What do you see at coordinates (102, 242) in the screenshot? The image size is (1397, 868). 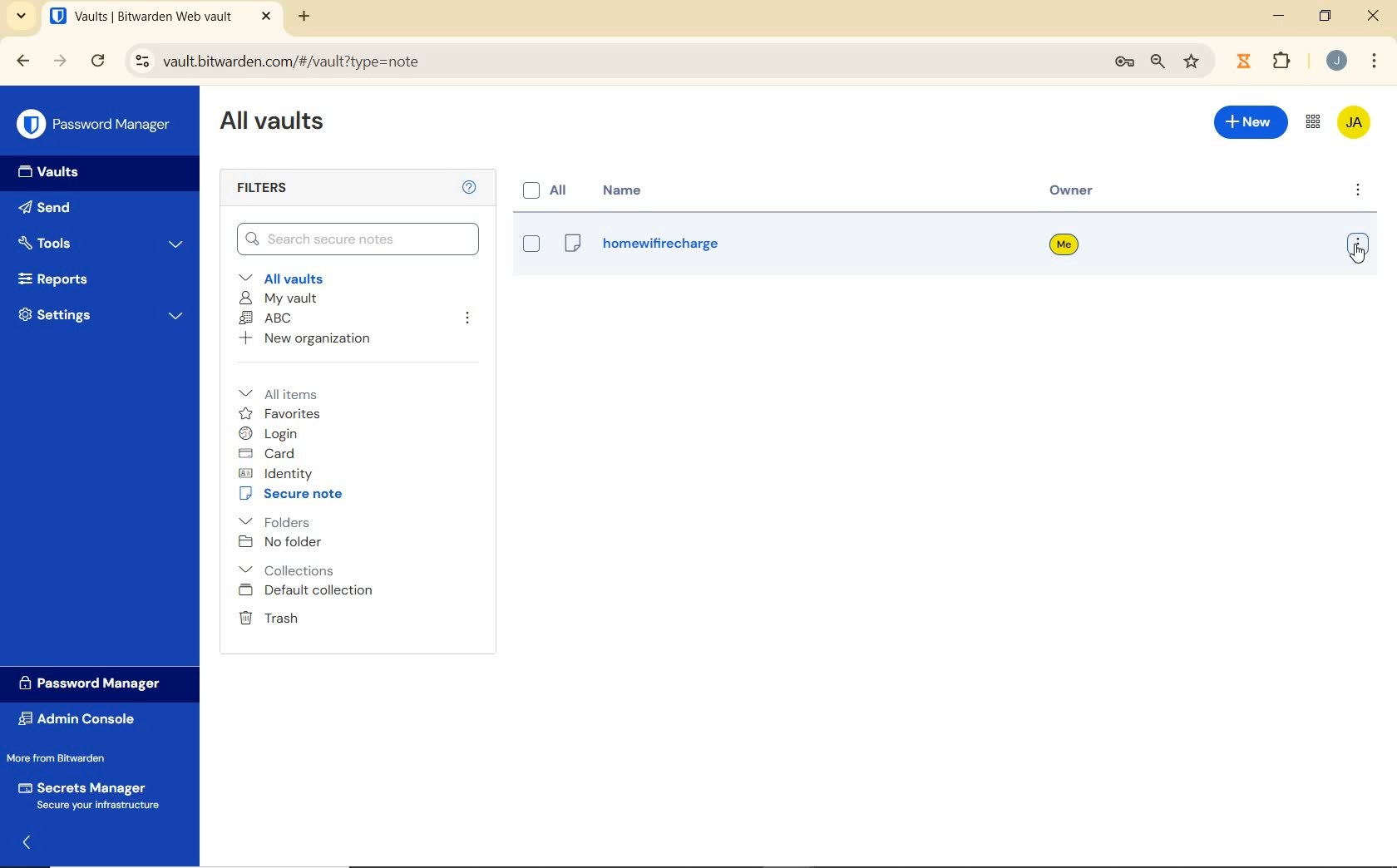 I see `Tools` at bounding box center [102, 242].